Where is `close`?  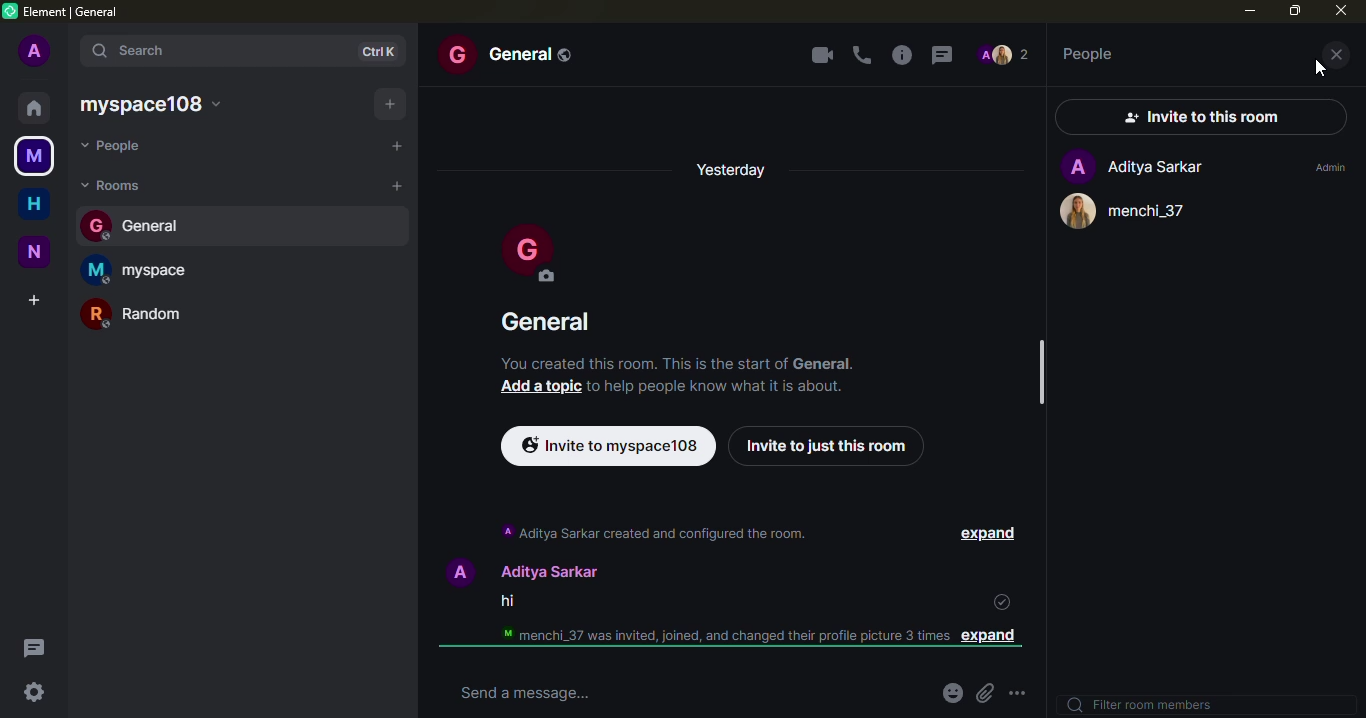
close is located at coordinates (1341, 14).